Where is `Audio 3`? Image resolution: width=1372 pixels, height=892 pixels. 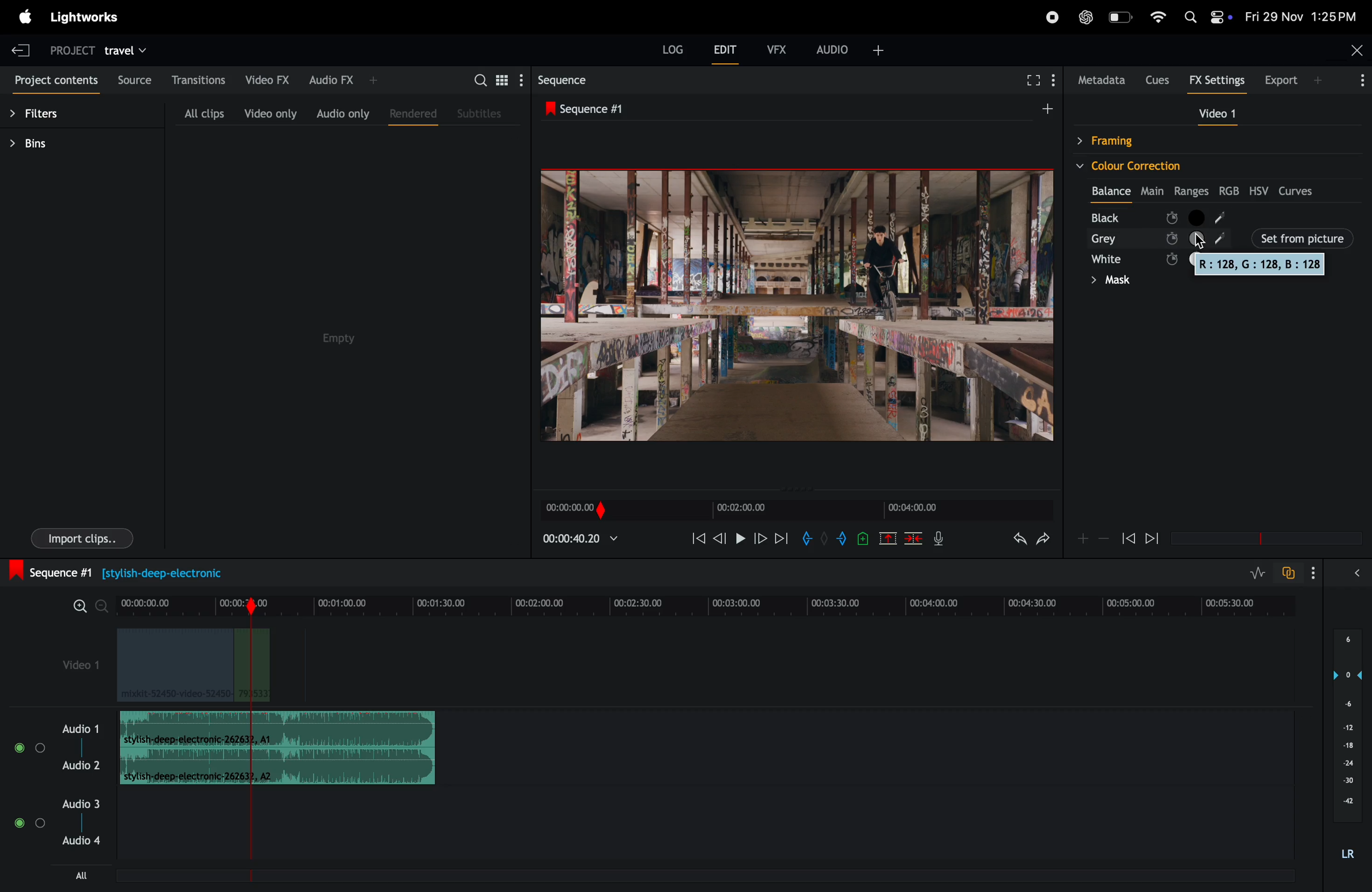 Audio 3 is located at coordinates (83, 803).